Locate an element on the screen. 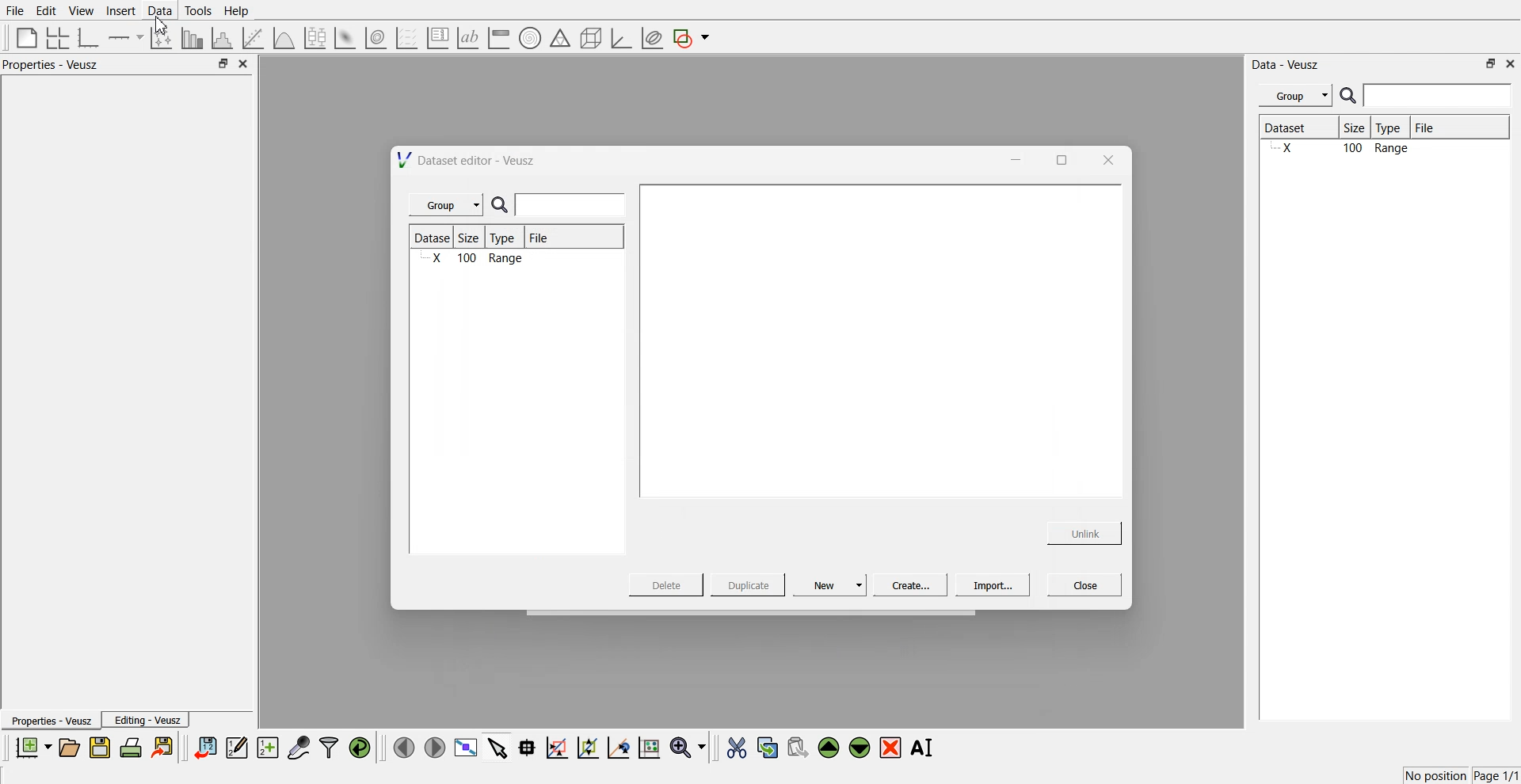  minimise or maximise is located at coordinates (223, 64).